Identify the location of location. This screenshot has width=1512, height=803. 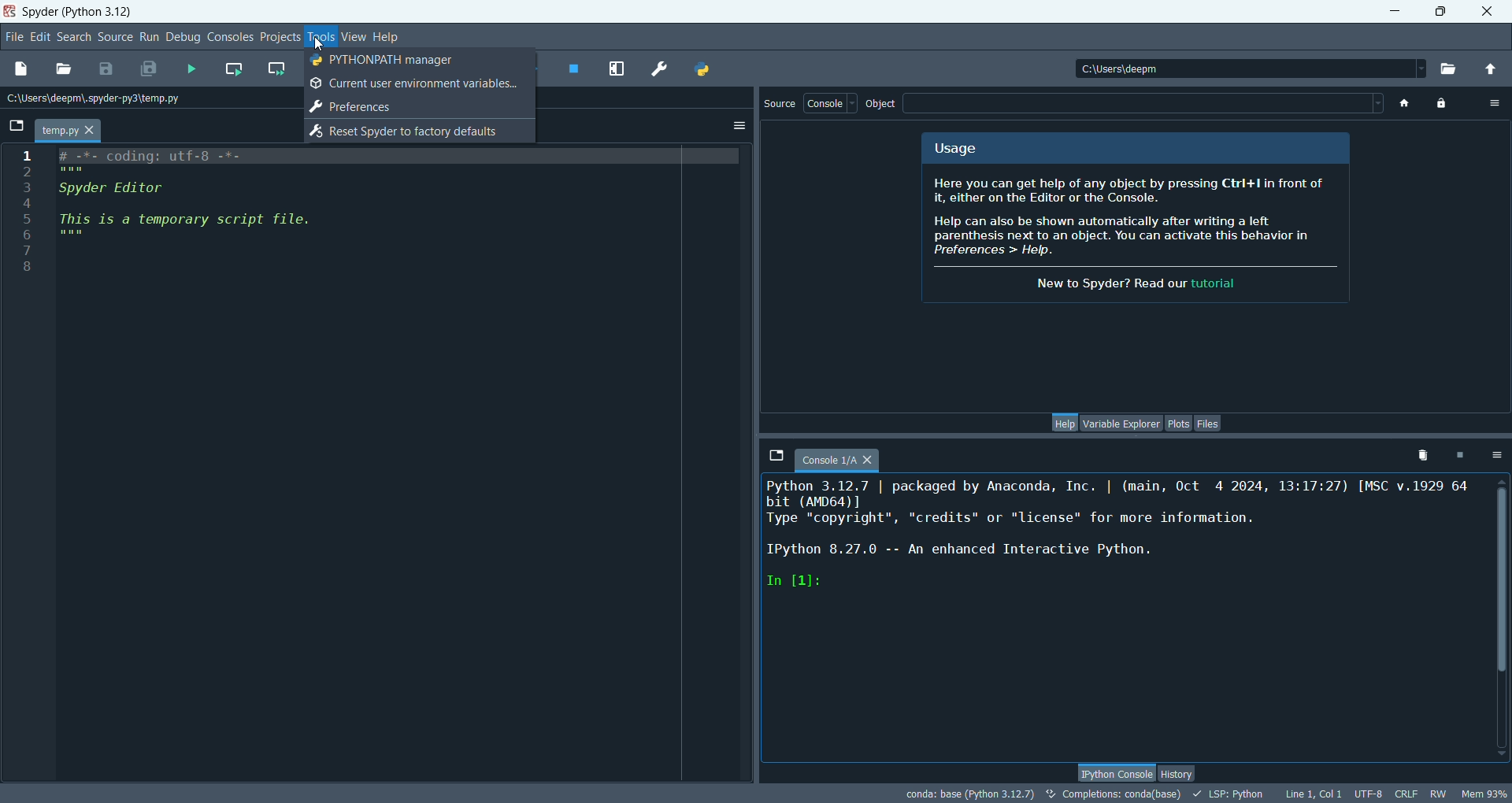
(1251, 67).